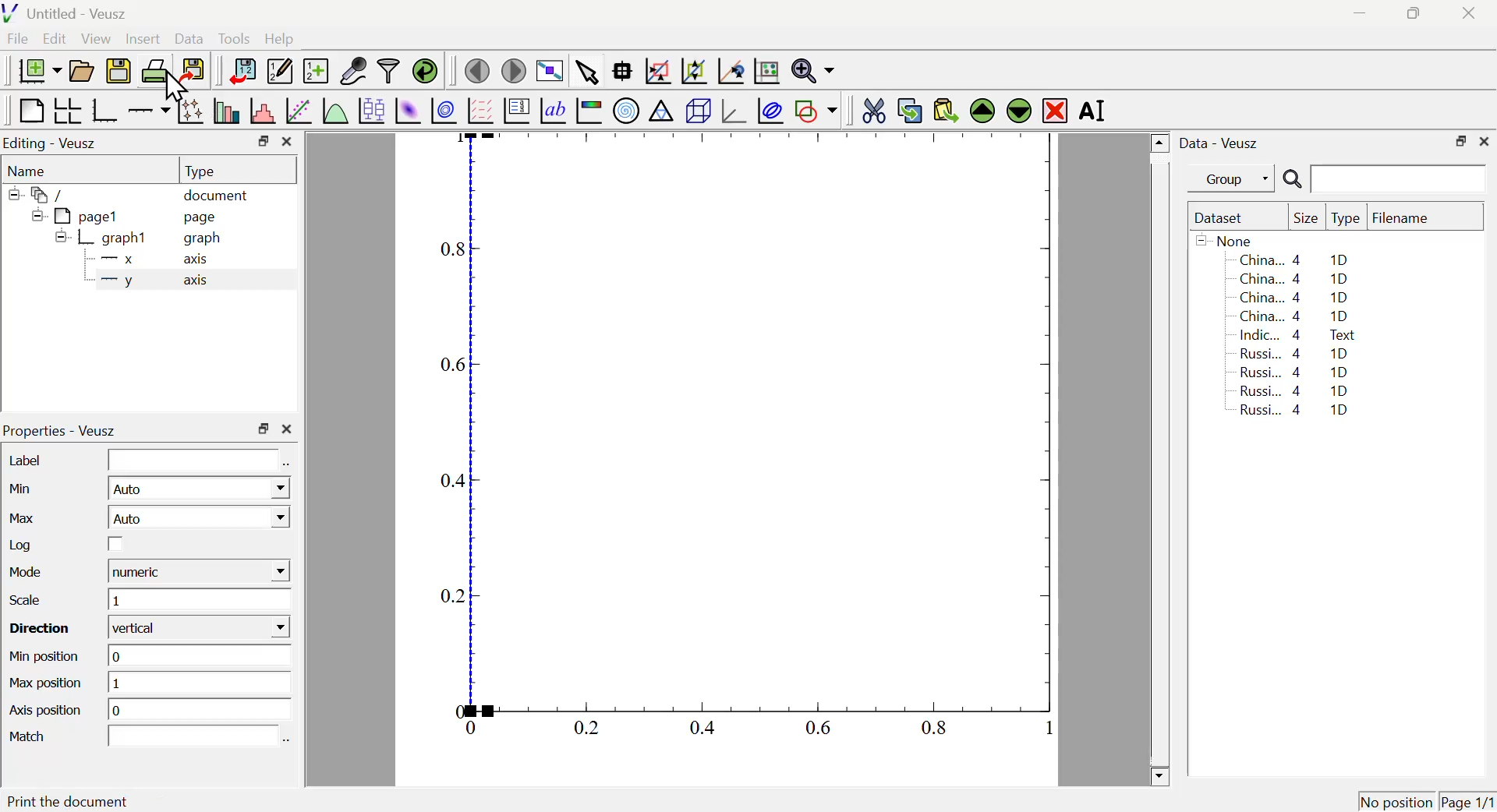 The width and height of the screenshot is (1497, 812). What do you see at coordinates (234, 40) in the screenshot?
I see `Tools` at bounding box center [234, 40].